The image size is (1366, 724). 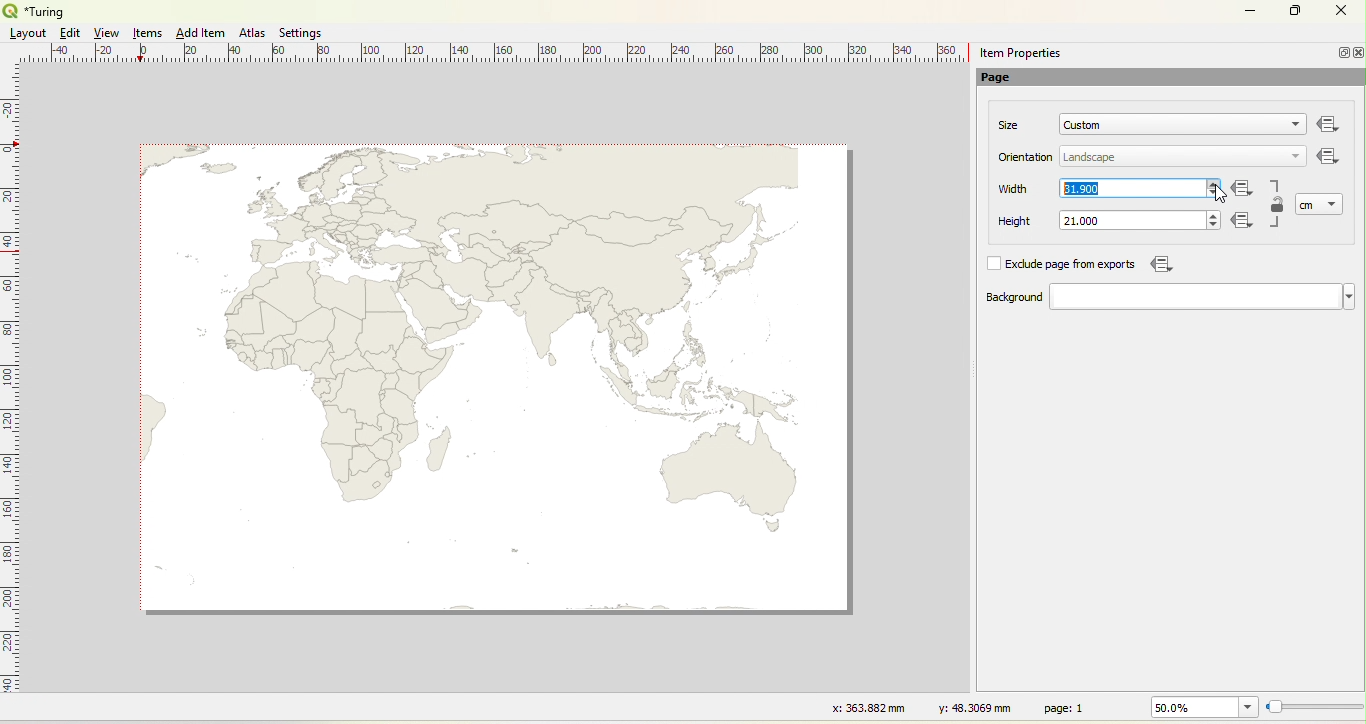 I want to click on dropdown, so click(x=1296, y=155).